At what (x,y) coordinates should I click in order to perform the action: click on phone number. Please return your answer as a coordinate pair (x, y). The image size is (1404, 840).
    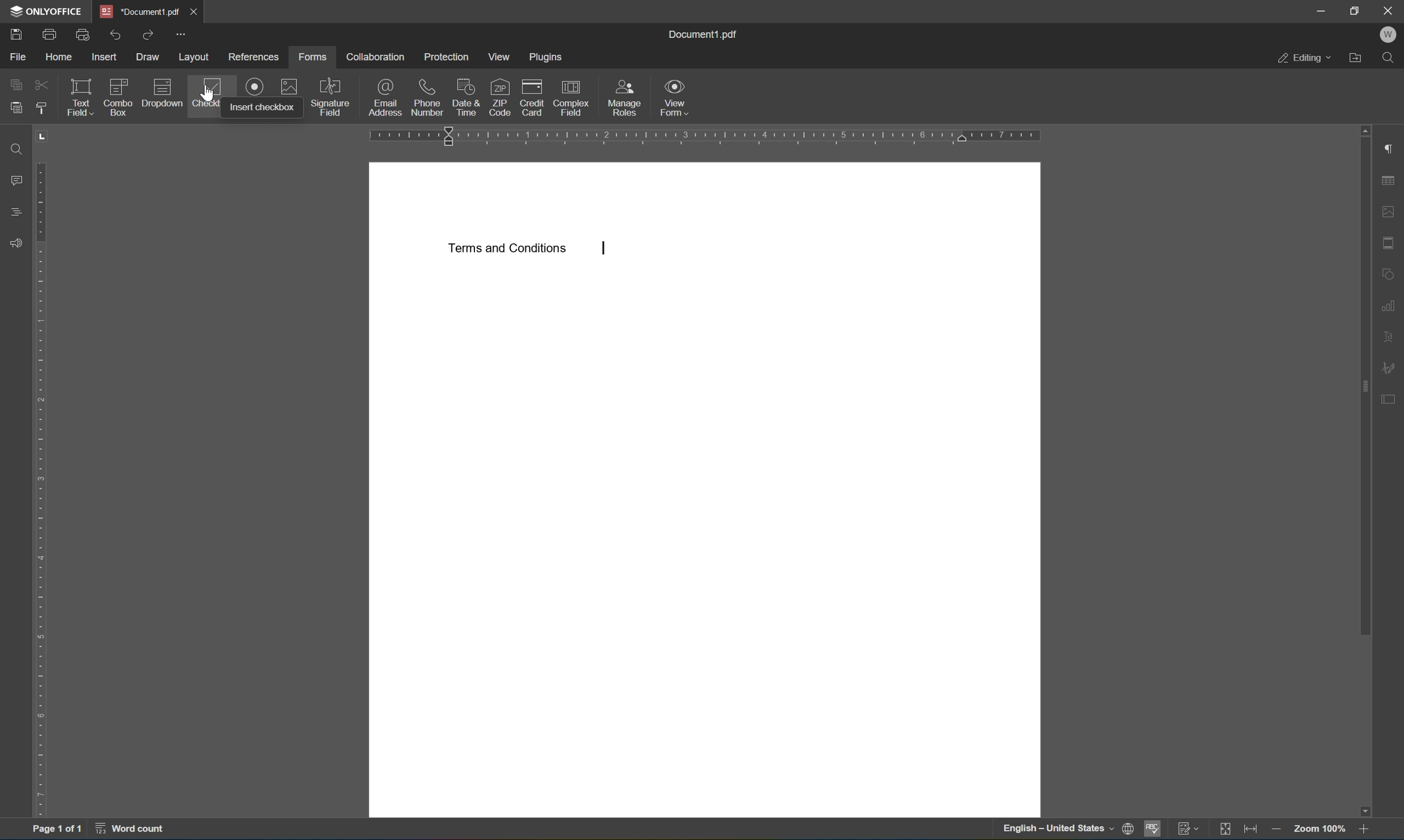
    Looking at the image, I should click on (427, 97).